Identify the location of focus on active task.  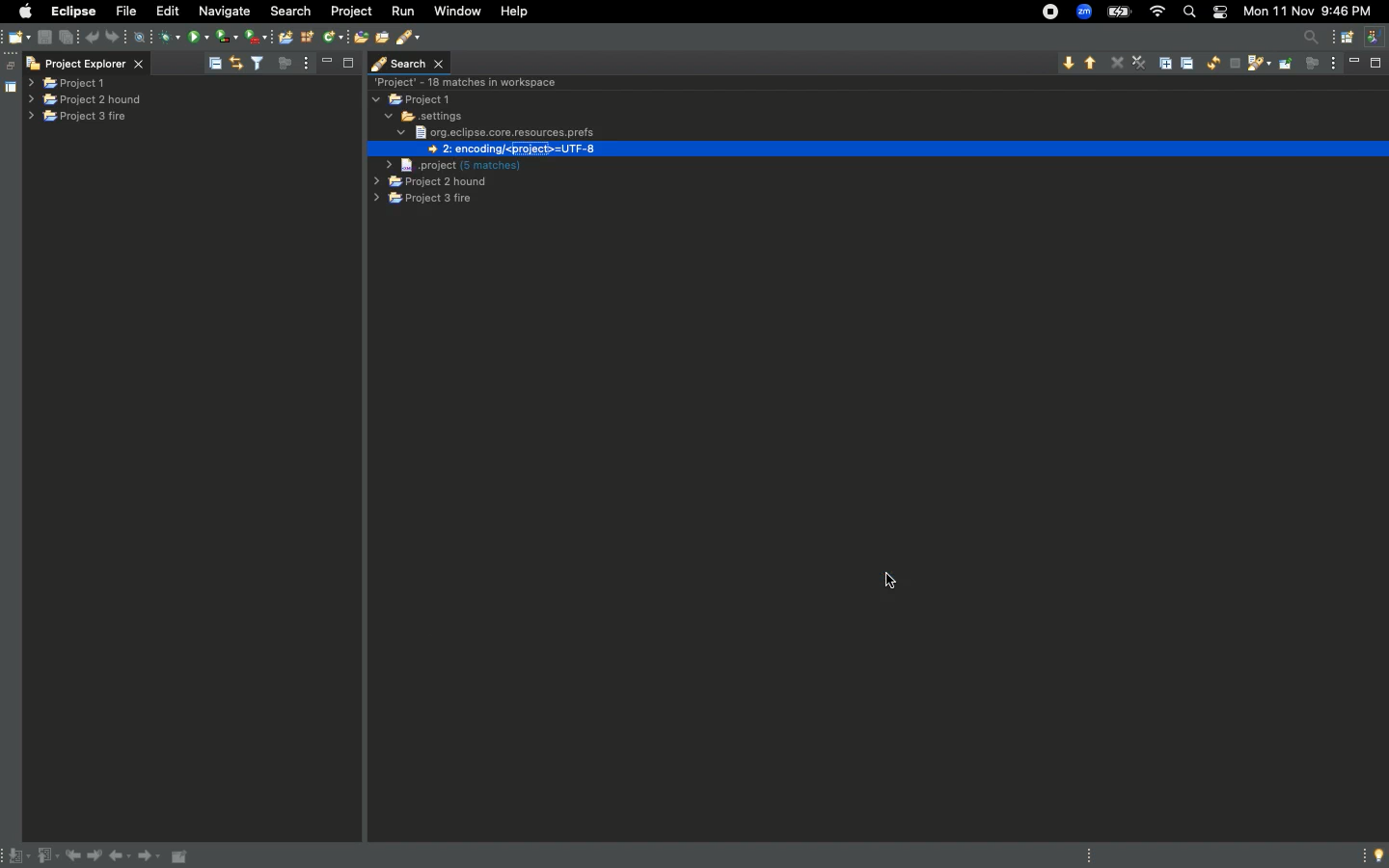
(285, 64).